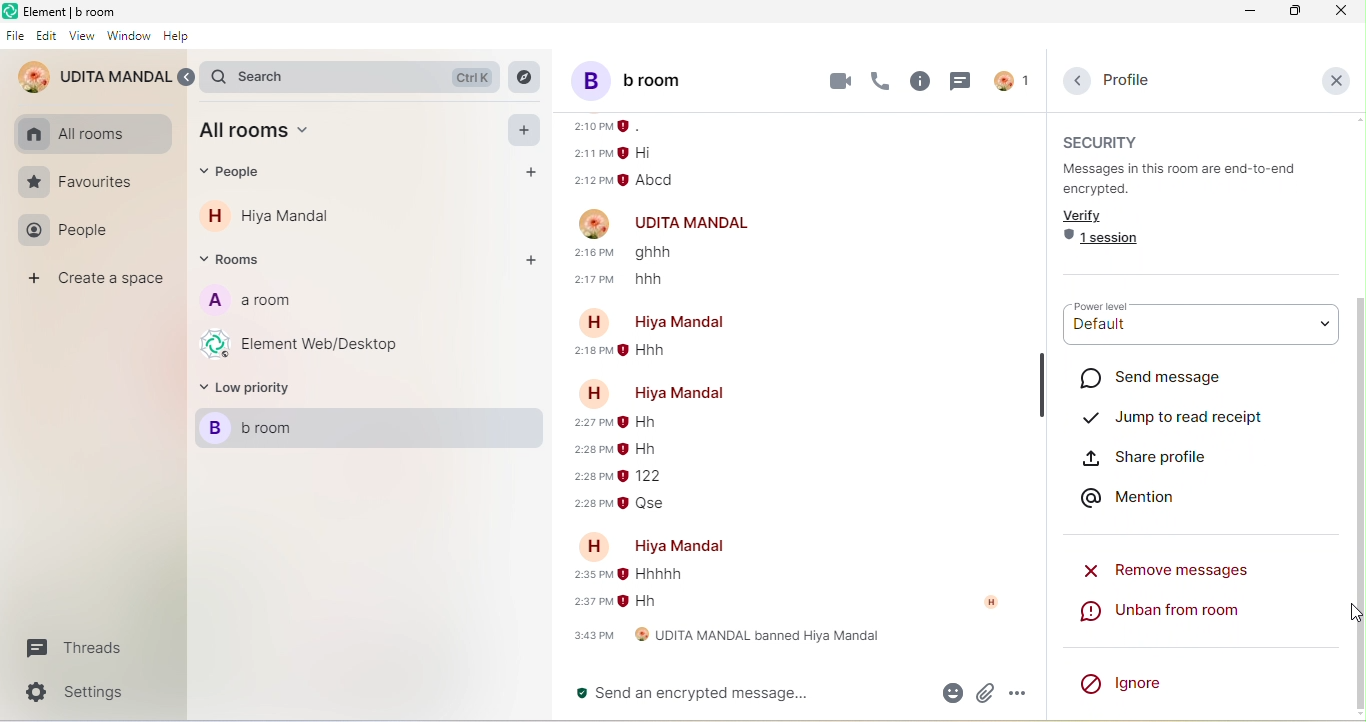  What do you see at coordinates (189, 78) in the screenshot?
I see `expand` at bounding box center [189, 78].